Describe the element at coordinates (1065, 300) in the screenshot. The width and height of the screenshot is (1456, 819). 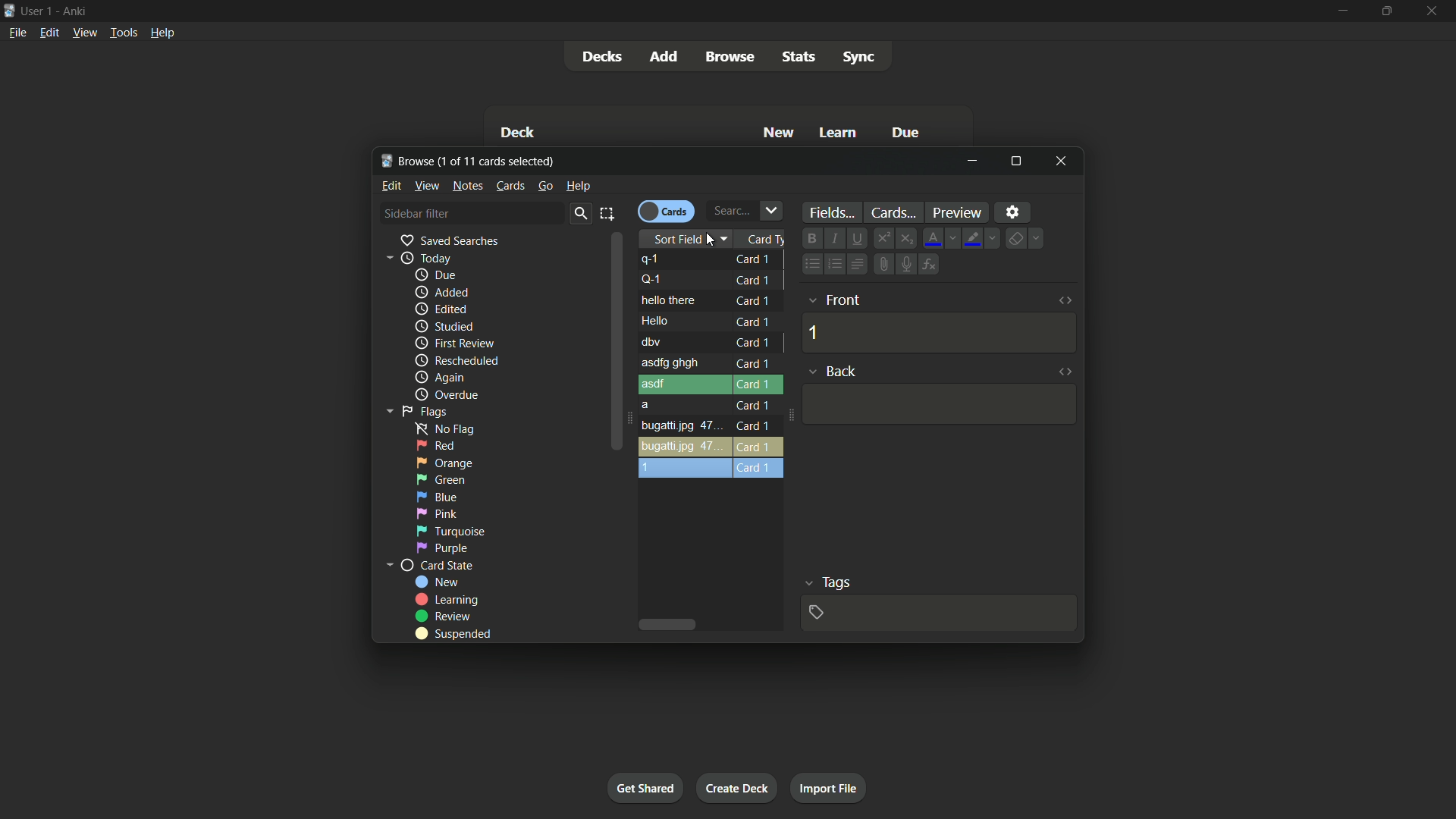
I see `toggle html editor` at that location.